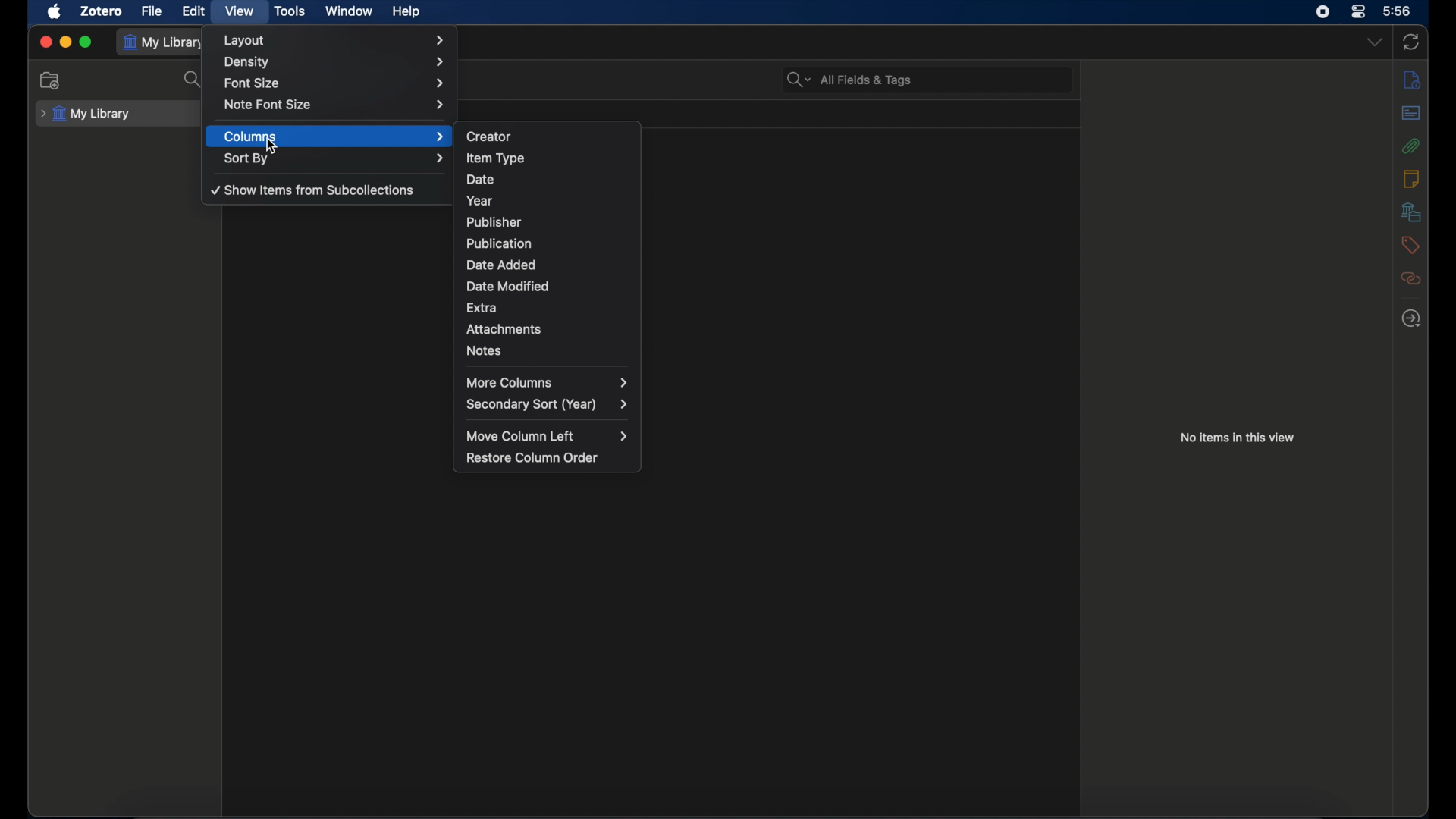 The height and width of the screenshot is (819, 1456). What do you see at coordinates (1409, 244) in the screenshot?
I see `tags` at bounding box center [1409, 244].